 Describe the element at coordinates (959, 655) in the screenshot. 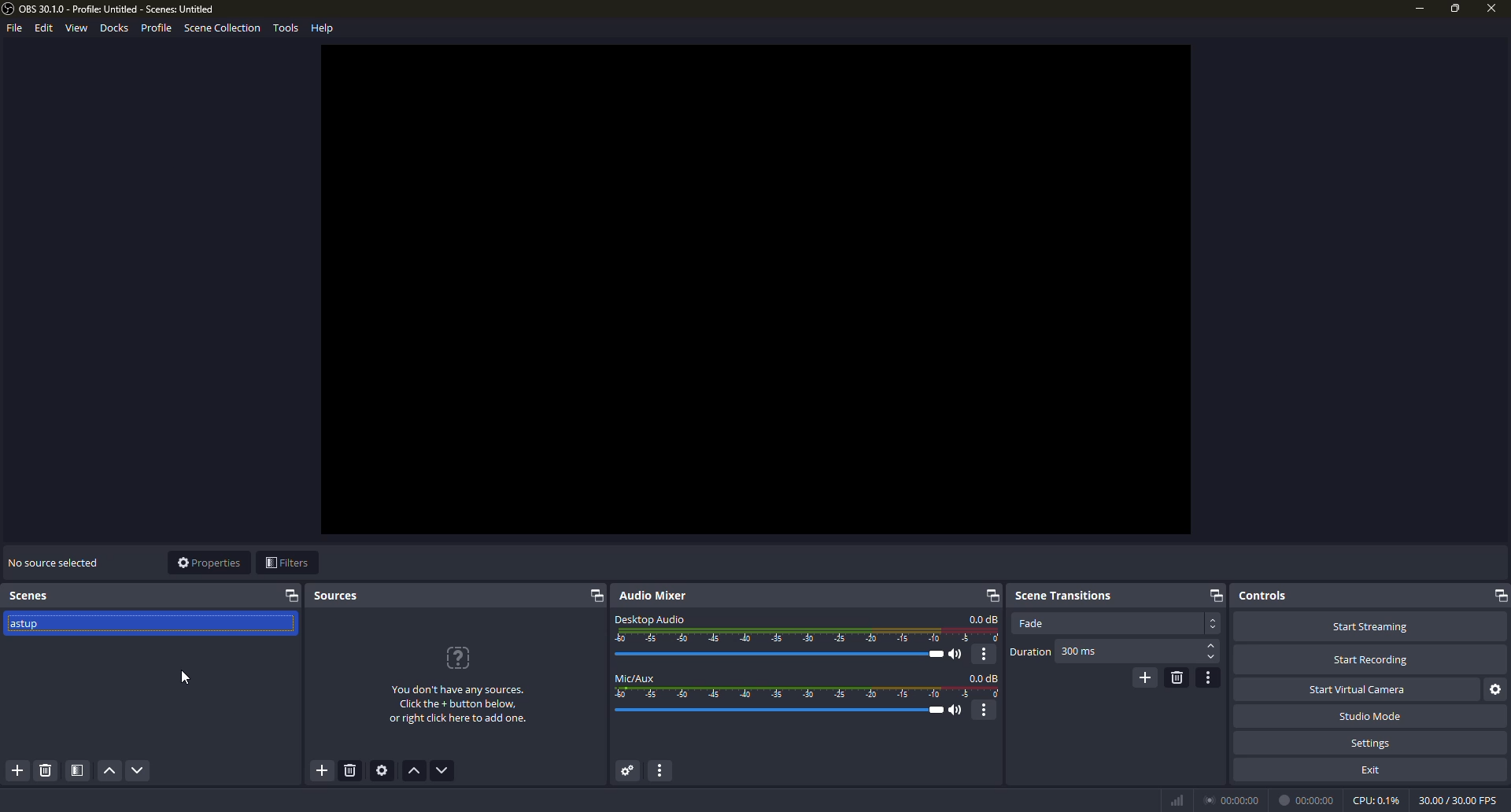

I see `mute` at that location.